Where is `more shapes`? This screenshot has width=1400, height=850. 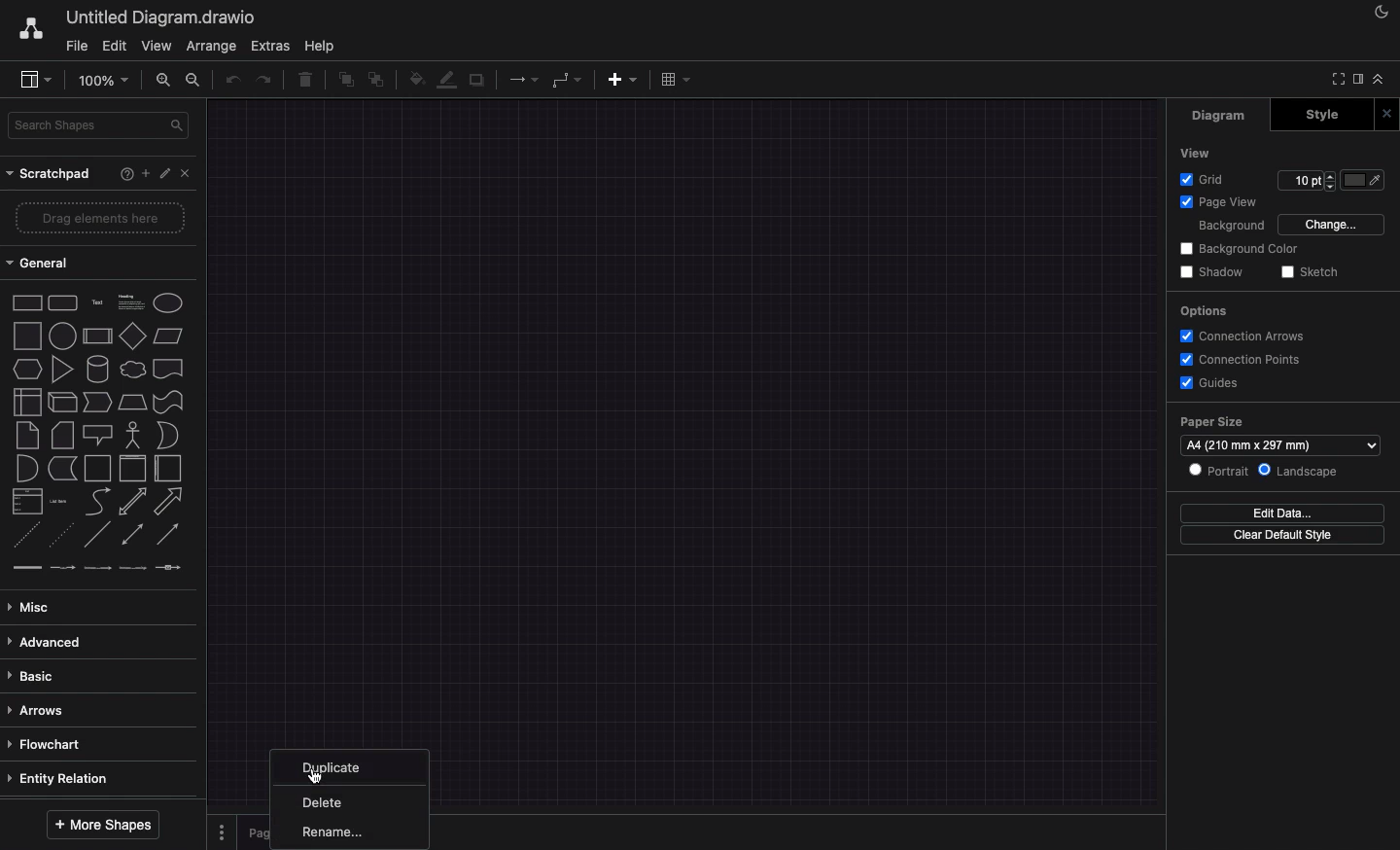
more shapes is located at coordinates (100, 826).